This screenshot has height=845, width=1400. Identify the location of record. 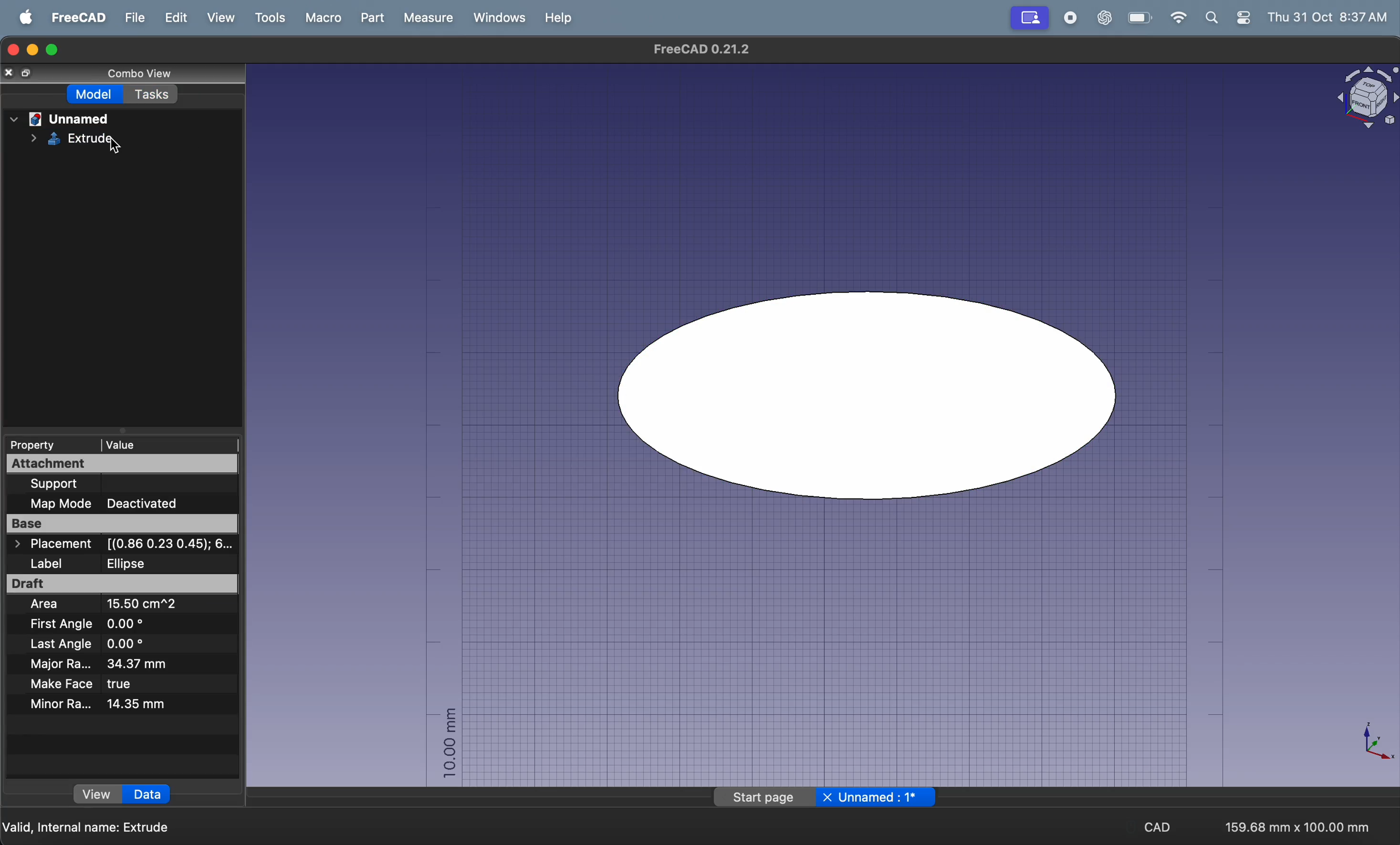
(1068, 19).